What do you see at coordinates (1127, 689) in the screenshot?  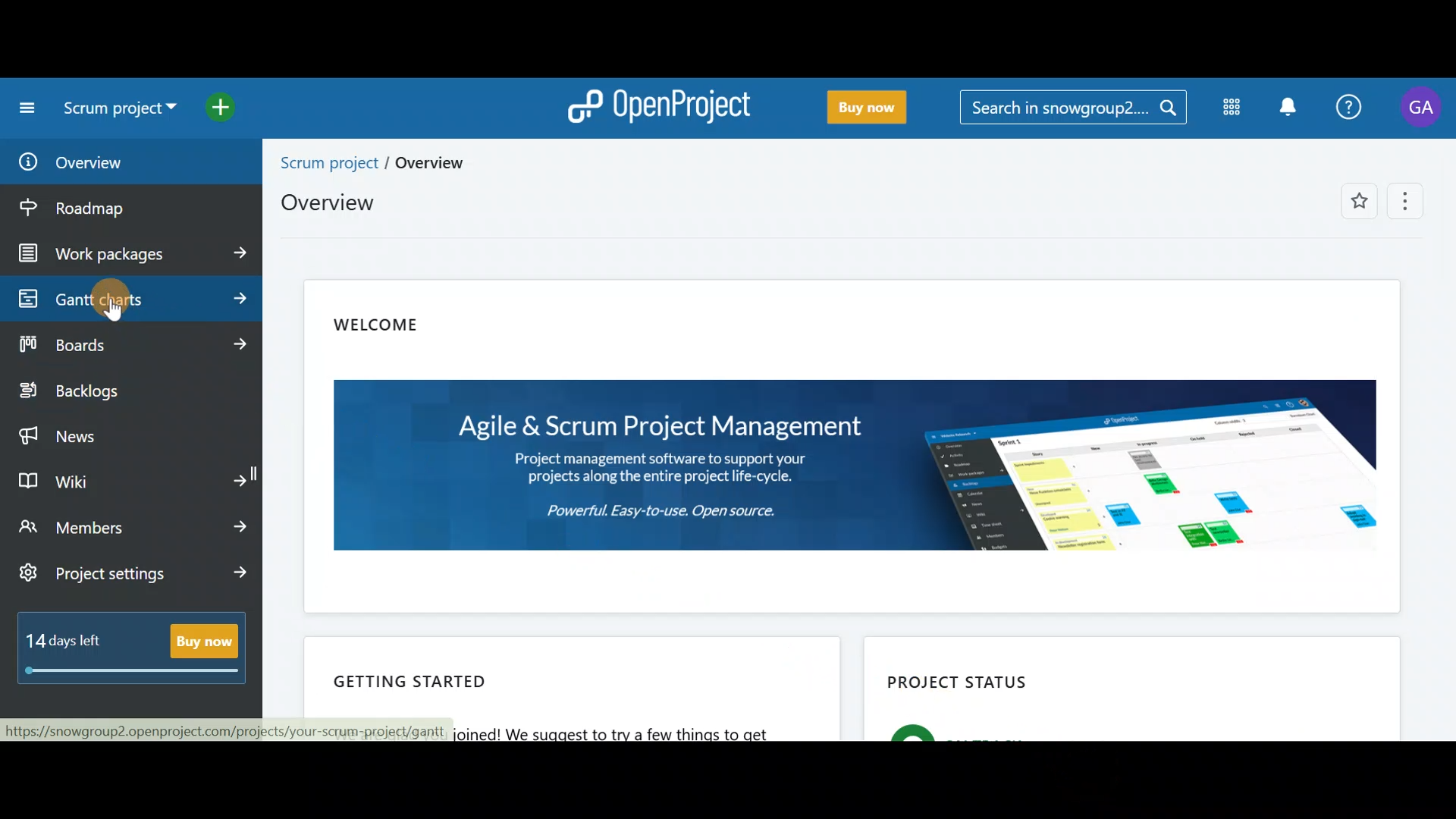 I see `Project status` at bounding box center [1127, 689].